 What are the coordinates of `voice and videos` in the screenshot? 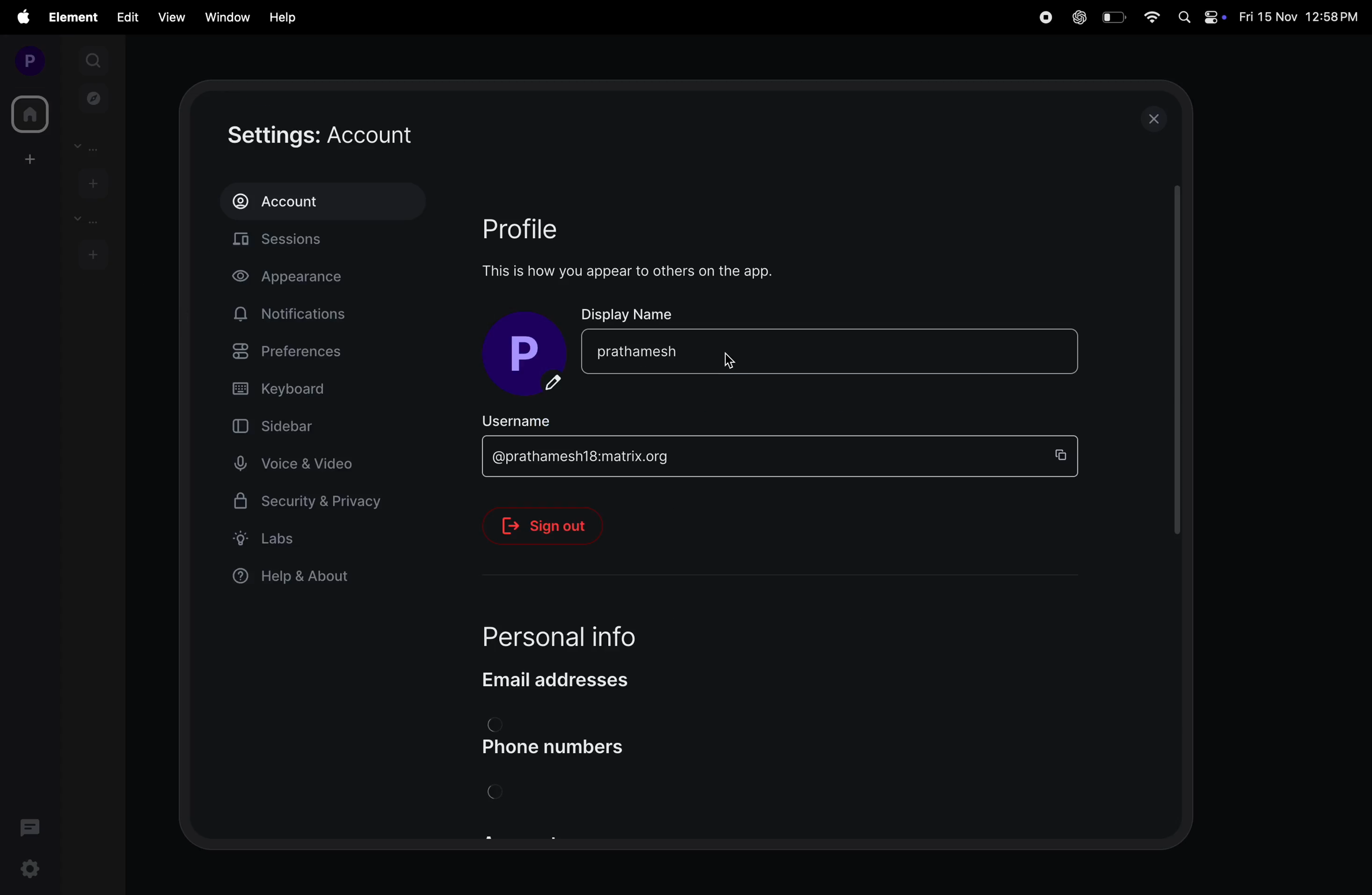 It's located at (300, 464).